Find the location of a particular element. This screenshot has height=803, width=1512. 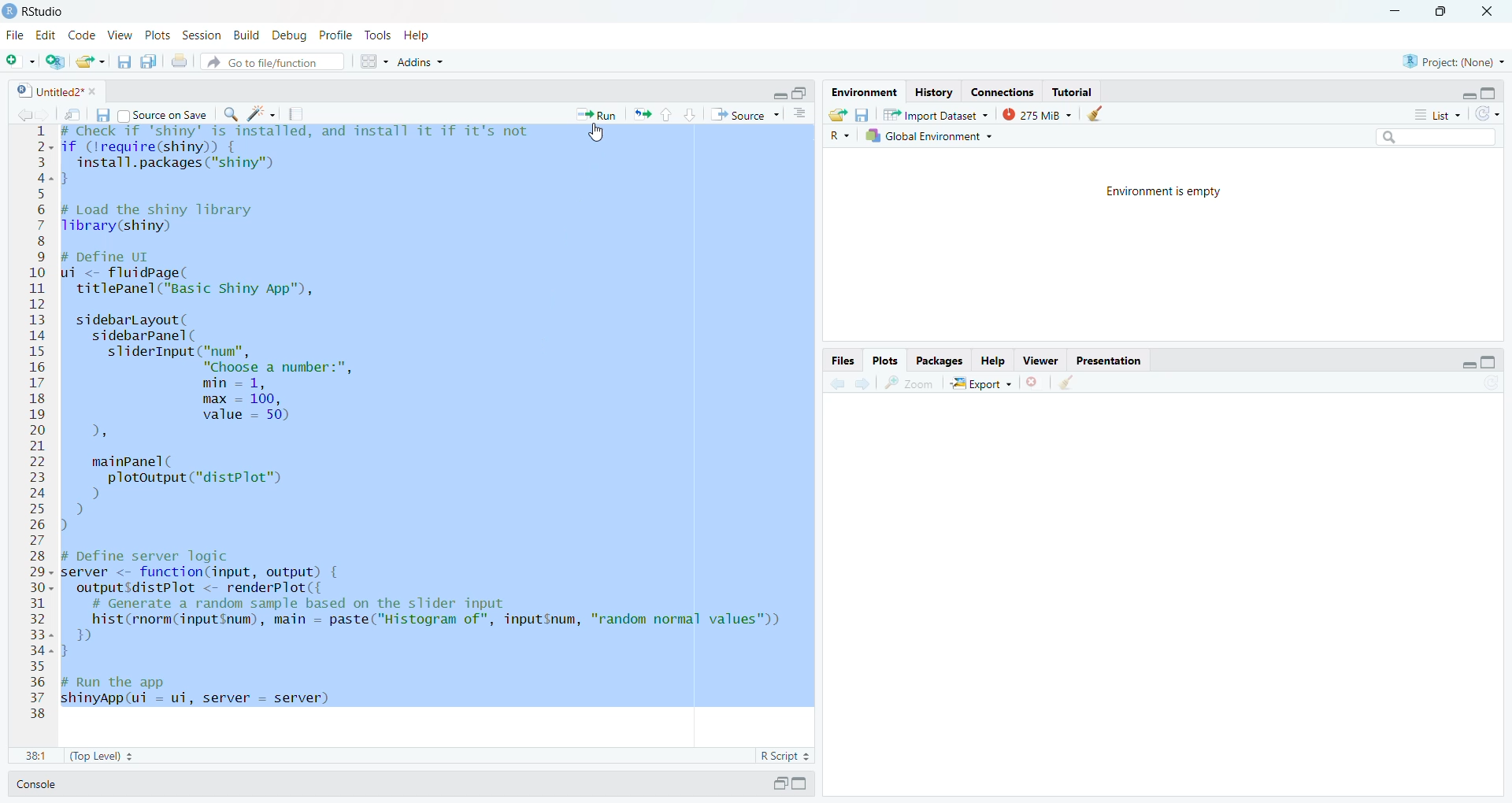

print is located at coordinates (179, 60).